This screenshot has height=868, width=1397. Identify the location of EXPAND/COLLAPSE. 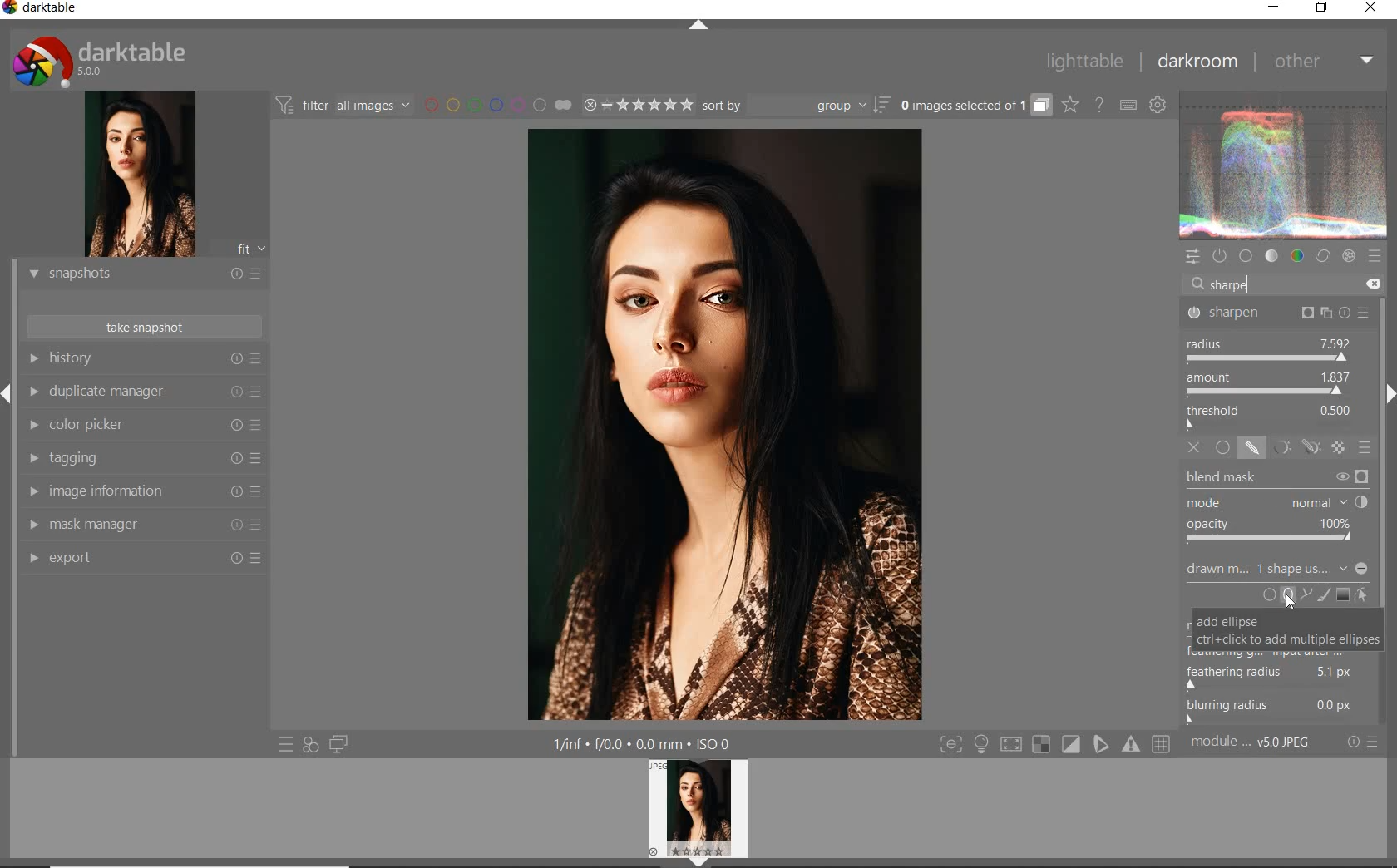
(696, 26).